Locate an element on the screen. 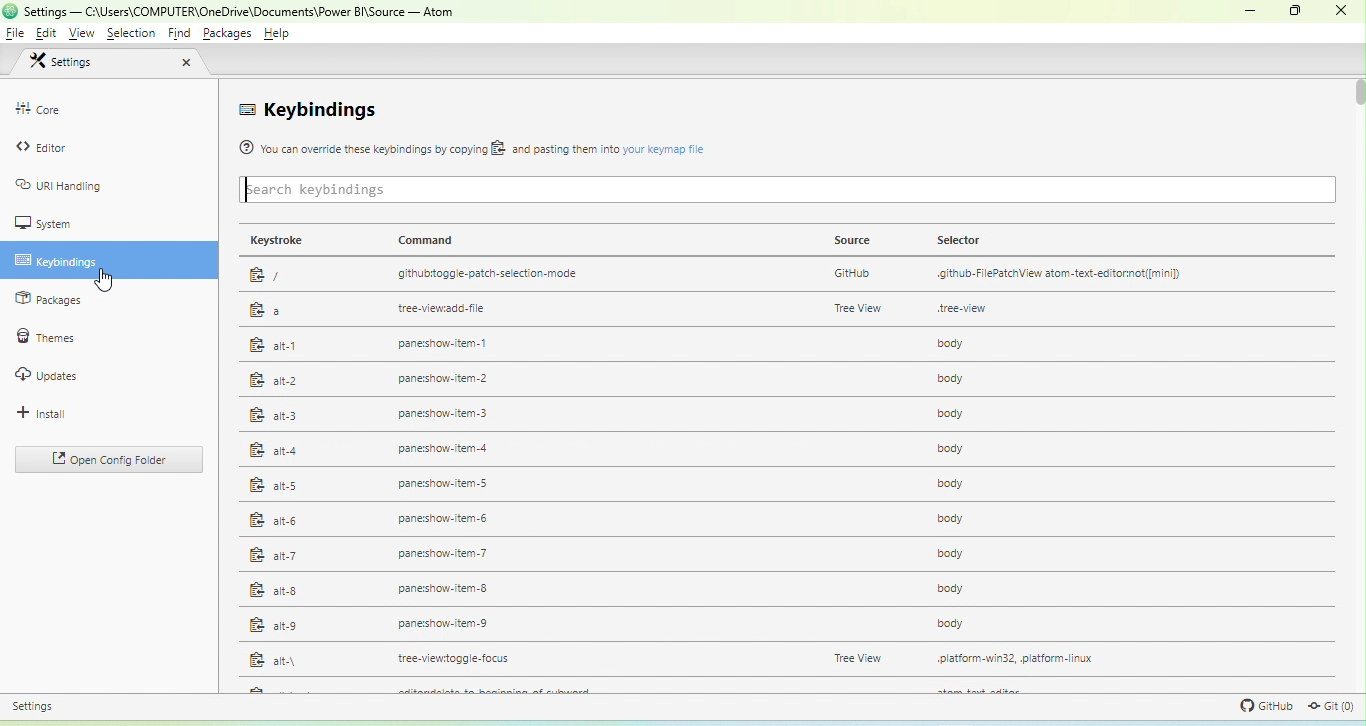 Image resolution: width=1366 pixels, height=726 pixels. keybindings is located at coordinates (310, 109).